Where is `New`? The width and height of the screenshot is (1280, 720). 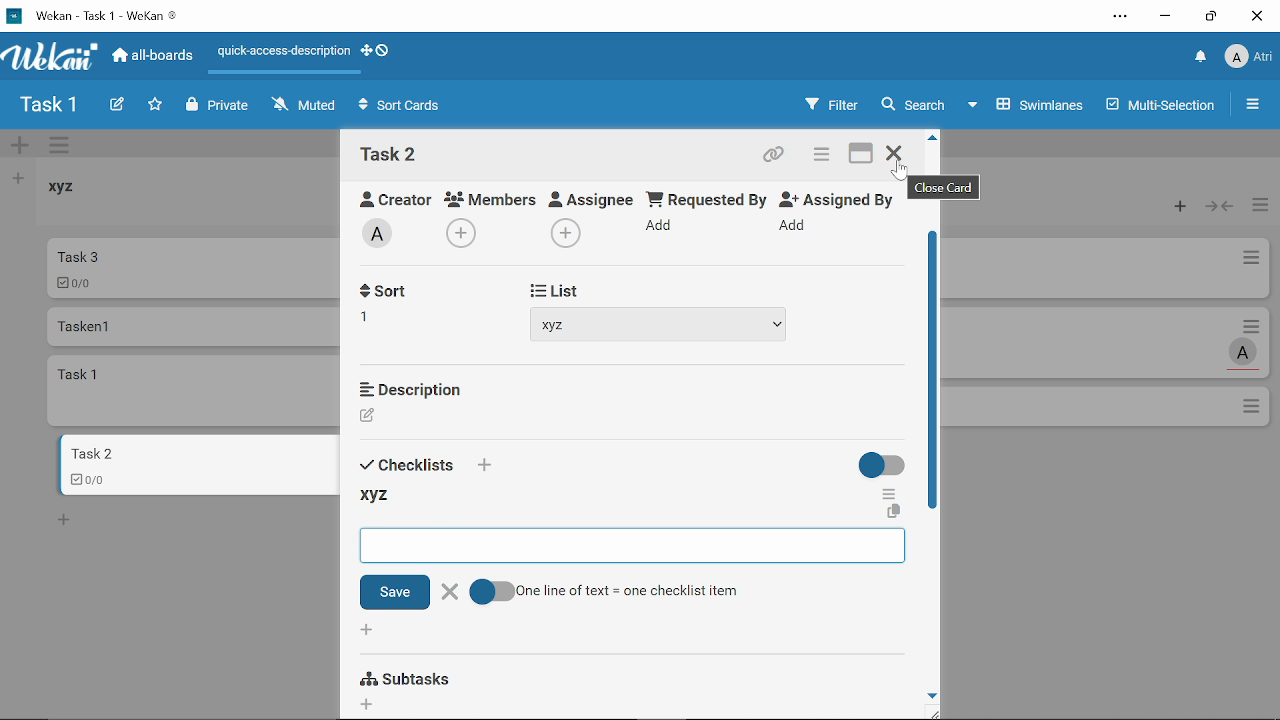 New is located at coordinates (66, 520).